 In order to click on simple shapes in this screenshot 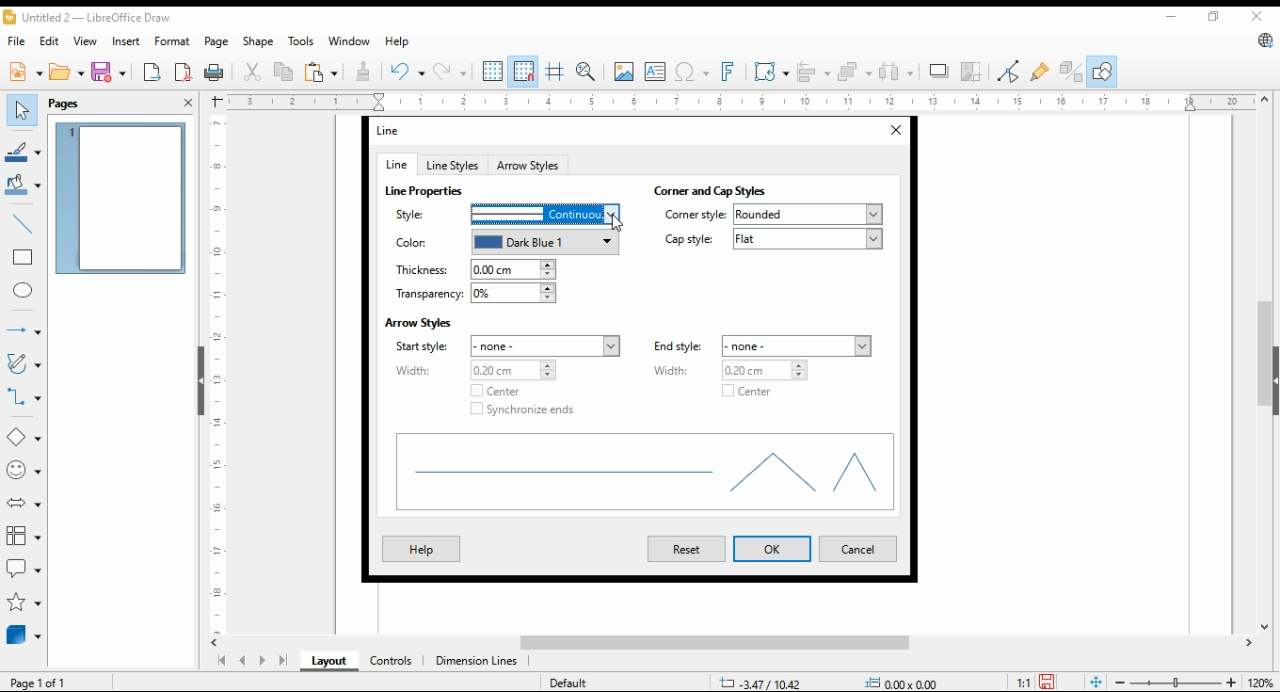, I will do `click(25, 436)`.